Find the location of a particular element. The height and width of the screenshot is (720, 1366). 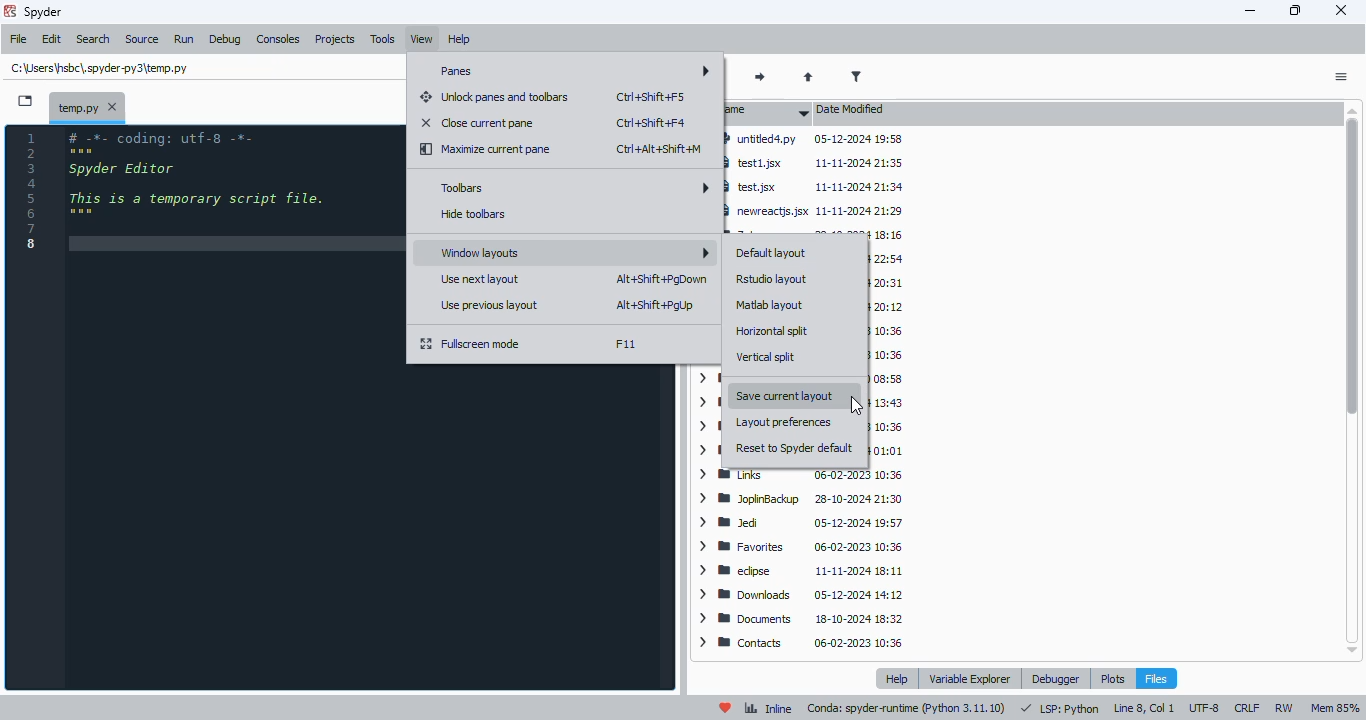

help is located at coordinates (897, 678).